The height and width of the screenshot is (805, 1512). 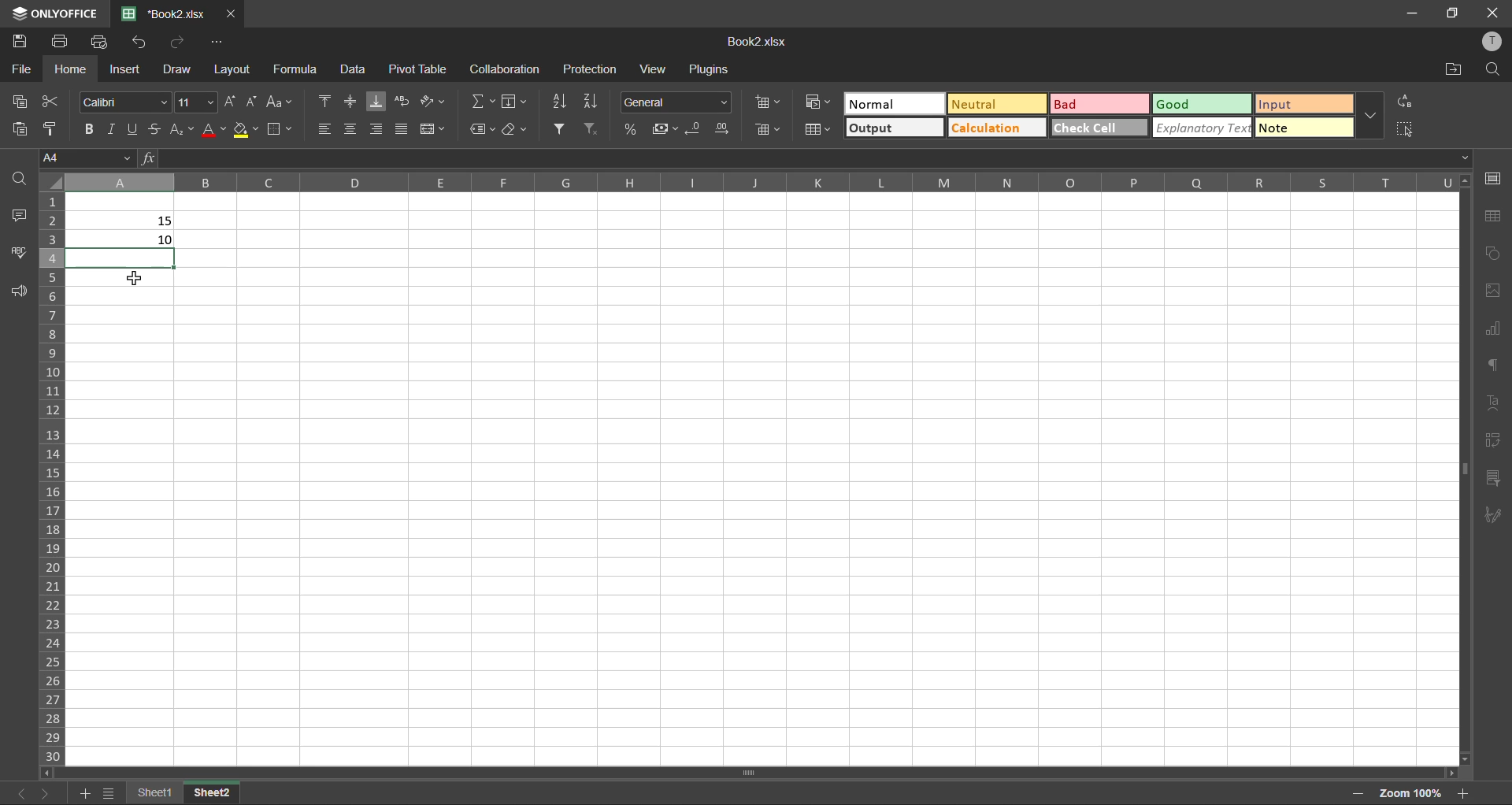 I want to click on output, so click(x=895, y=127).